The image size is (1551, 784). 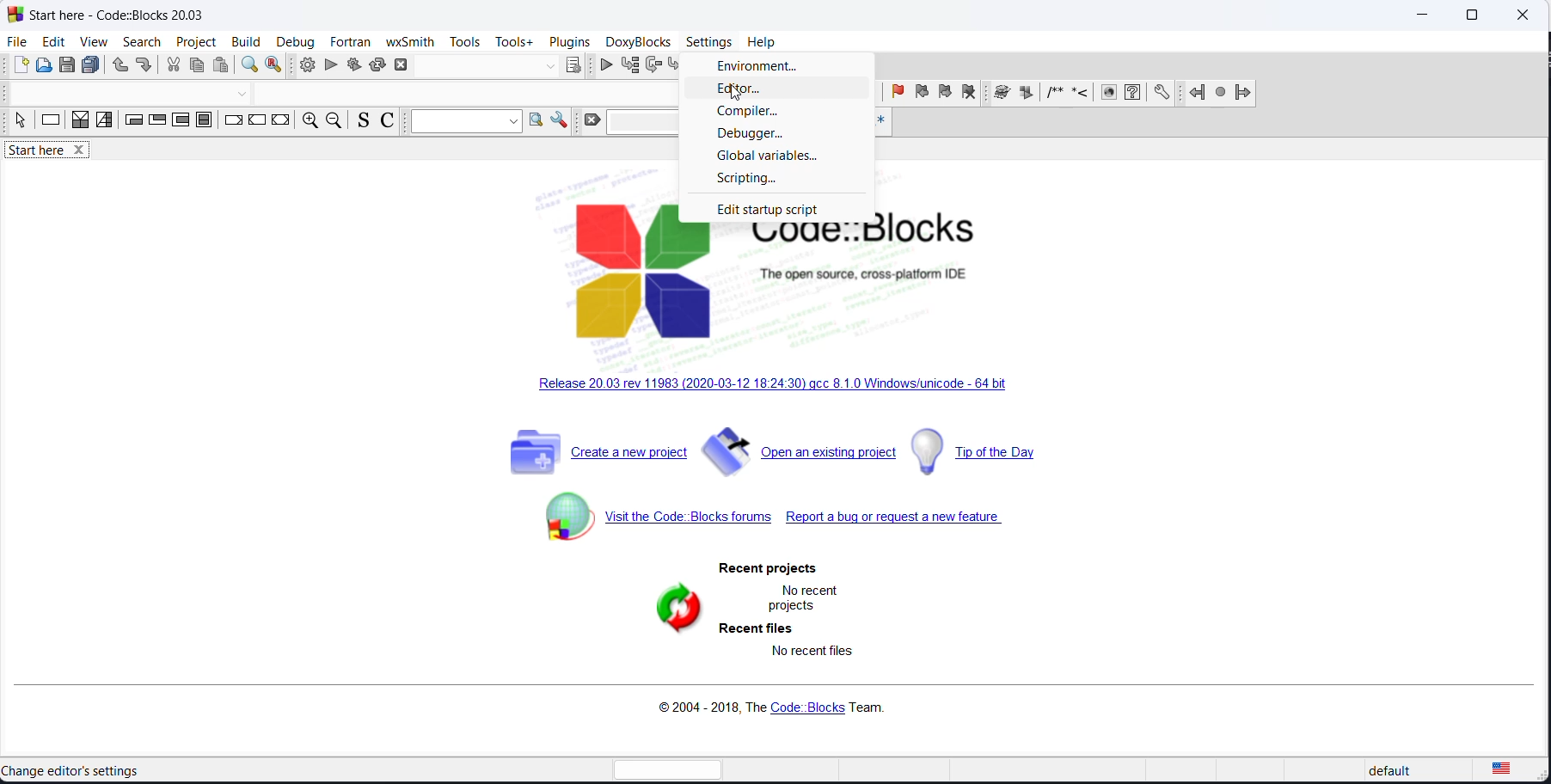 What do you see at coordinates (512, 43) in the screenshot?
I see `tools+` at bounding box center [512, 43].